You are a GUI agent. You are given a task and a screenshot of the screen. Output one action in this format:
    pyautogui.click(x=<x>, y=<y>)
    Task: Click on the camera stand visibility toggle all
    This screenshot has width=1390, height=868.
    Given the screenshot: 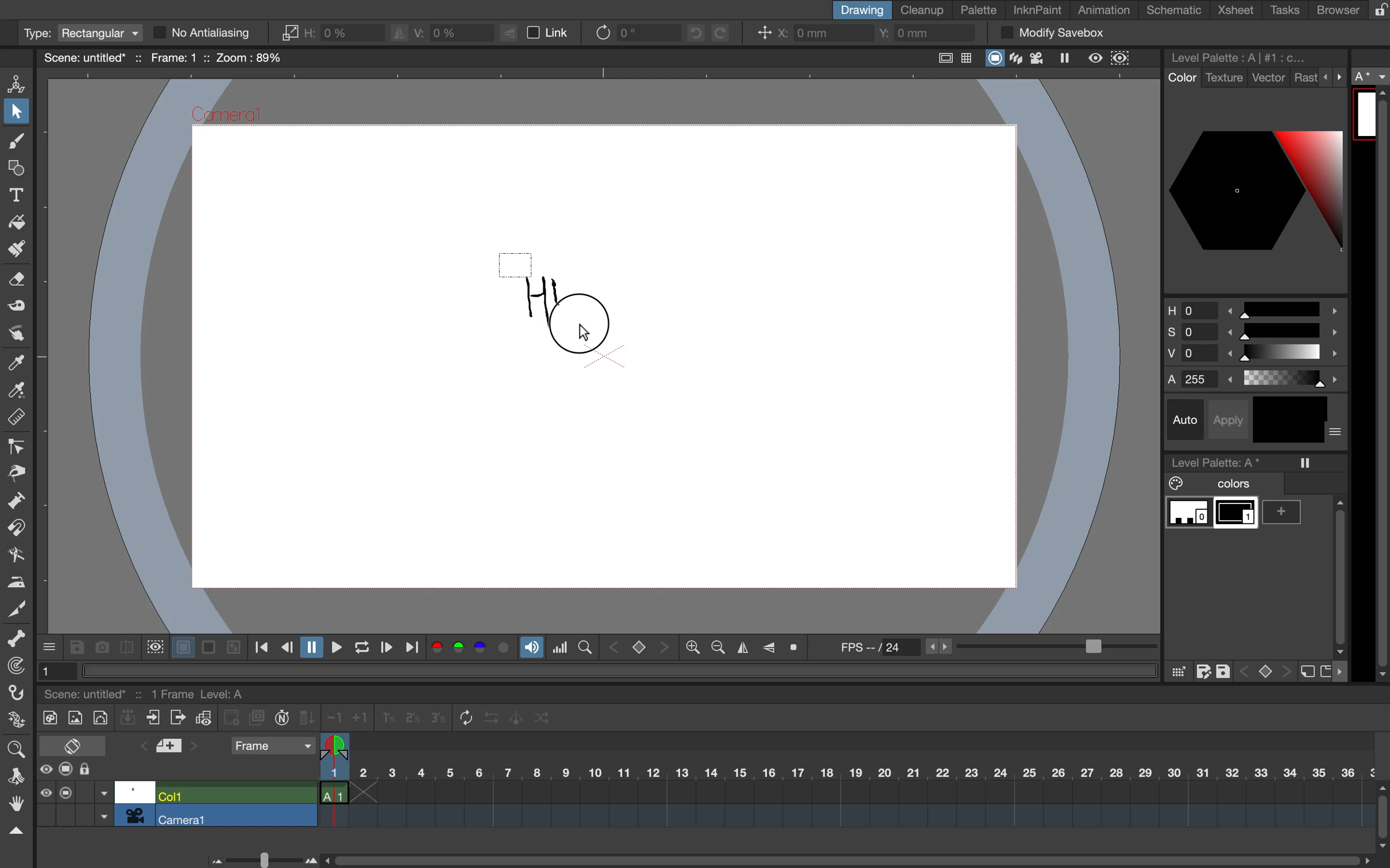 What is the action you would take?
    pyautogui.click(x=66, y=770)
    